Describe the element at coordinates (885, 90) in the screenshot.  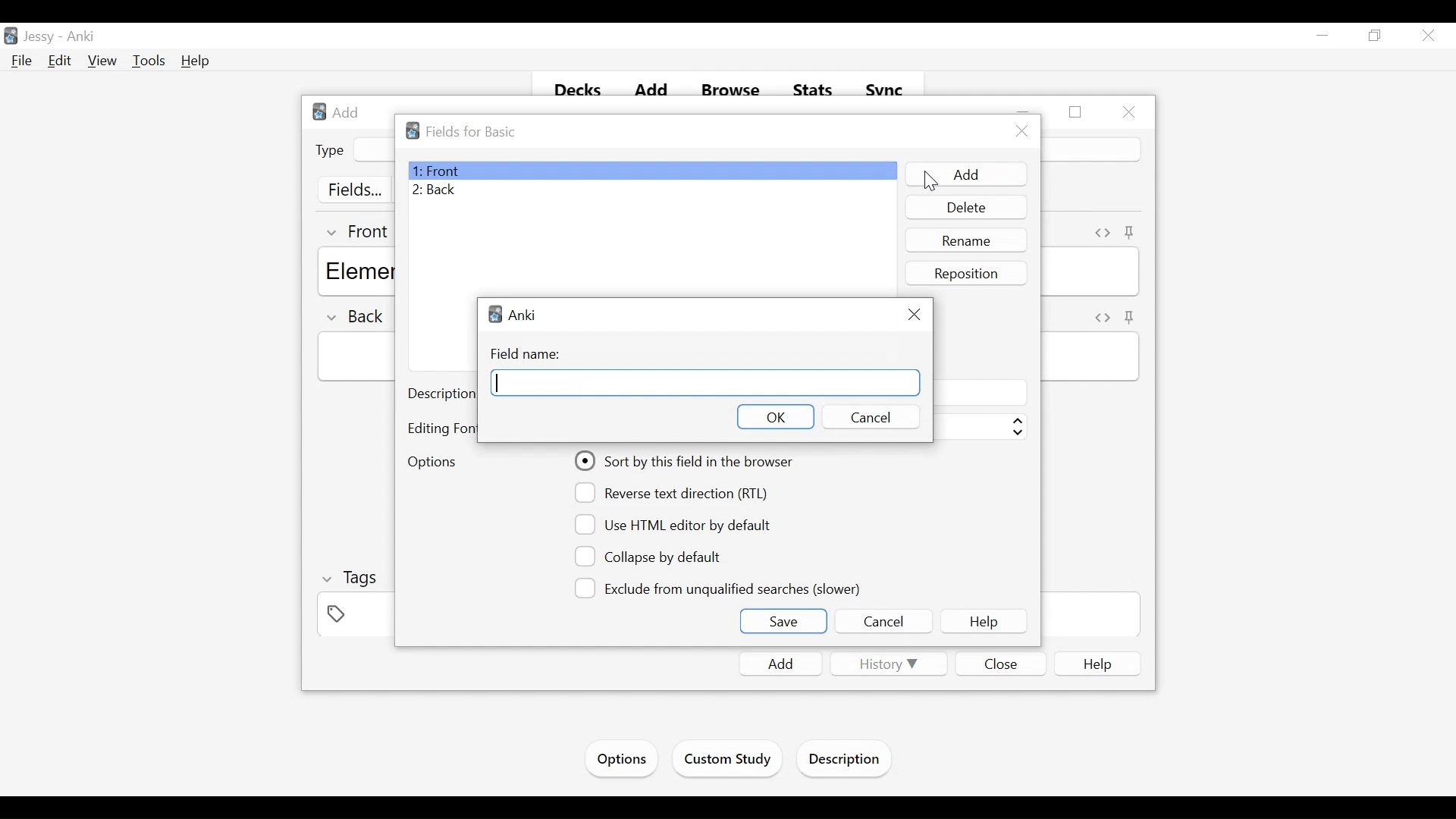
I see `Sync` at that location.